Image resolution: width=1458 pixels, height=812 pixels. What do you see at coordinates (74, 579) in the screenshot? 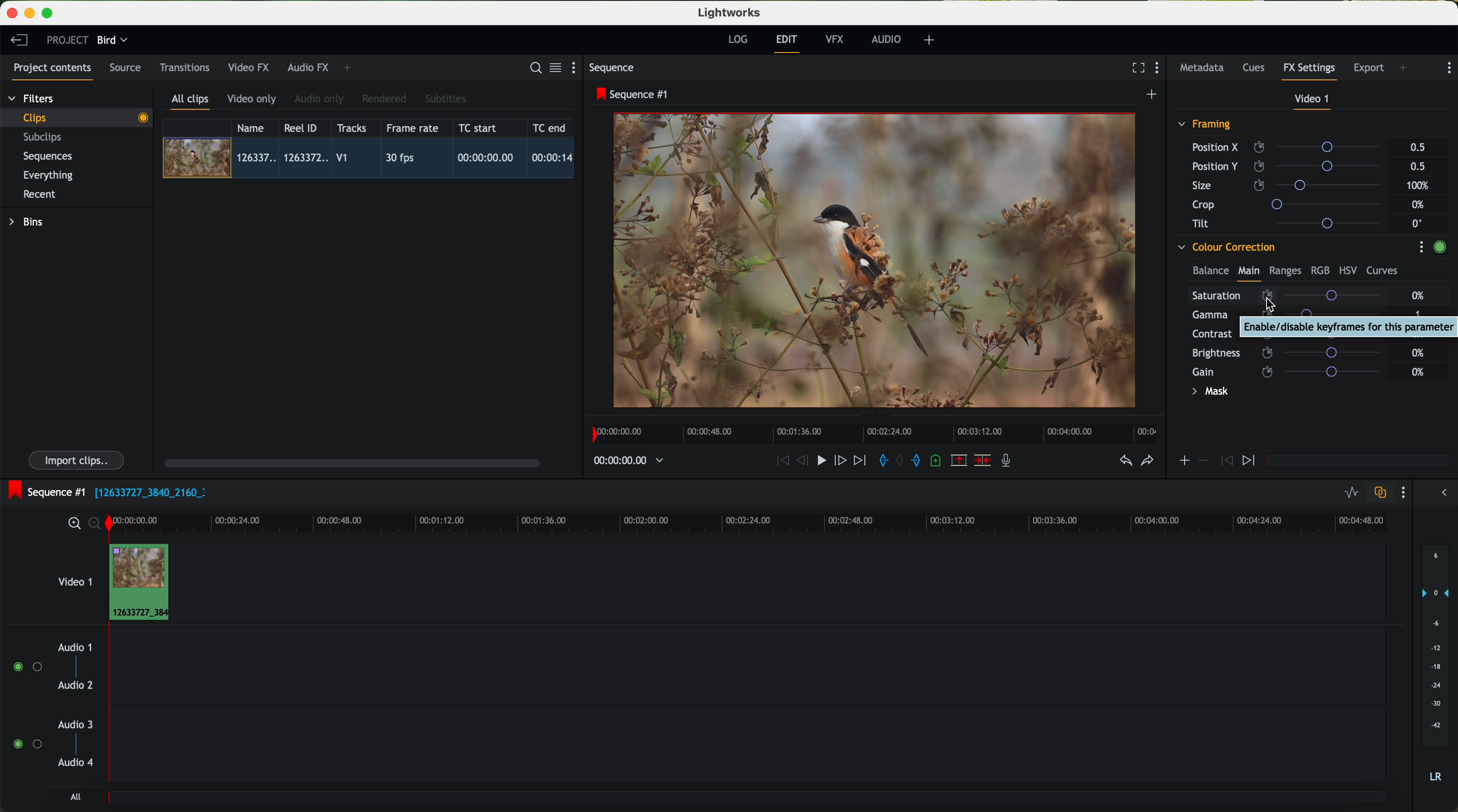
I see `video 1` at bounding box center [74, 579].